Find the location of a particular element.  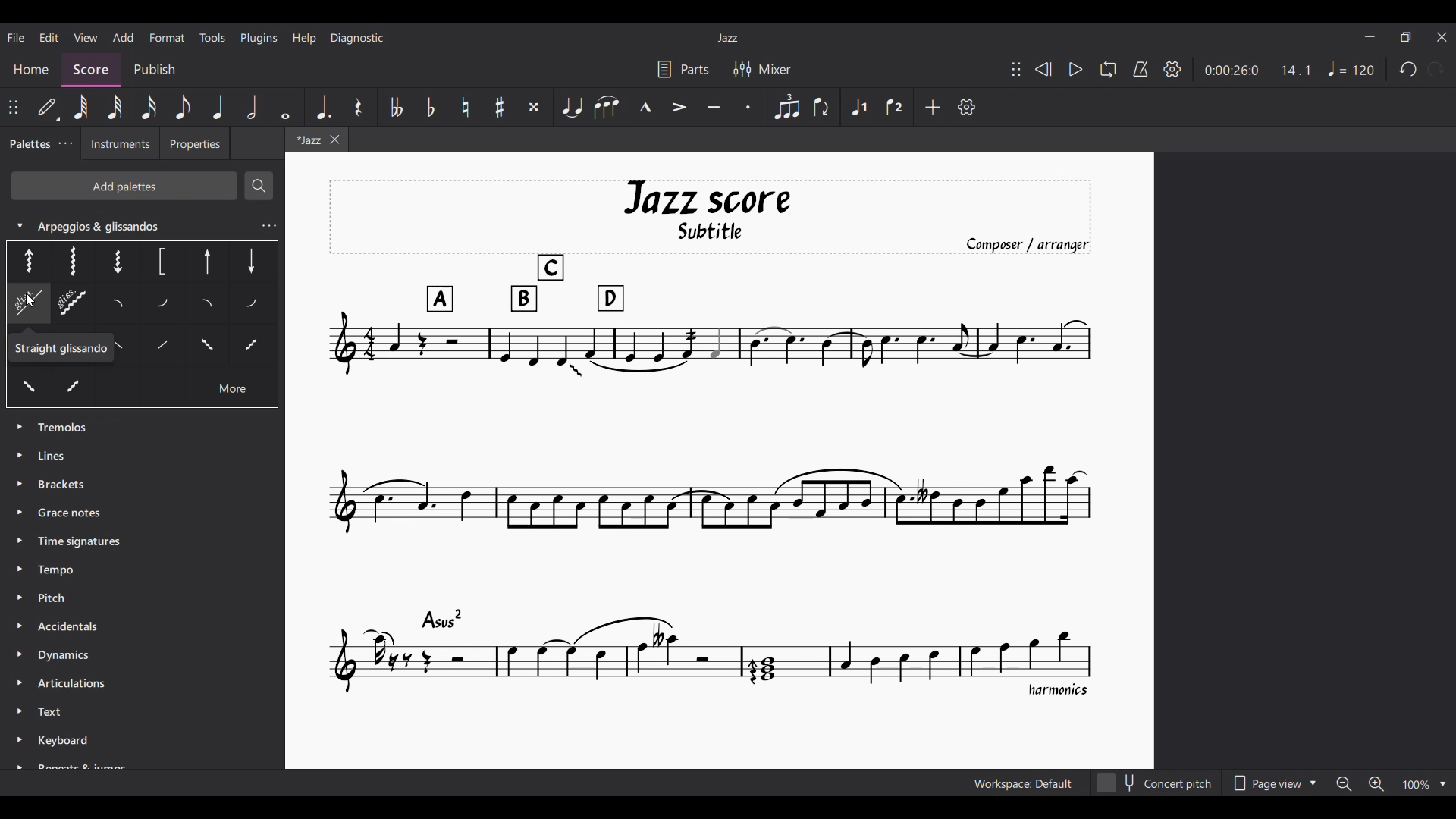

Quarter note is located at coordinates (217, 107).